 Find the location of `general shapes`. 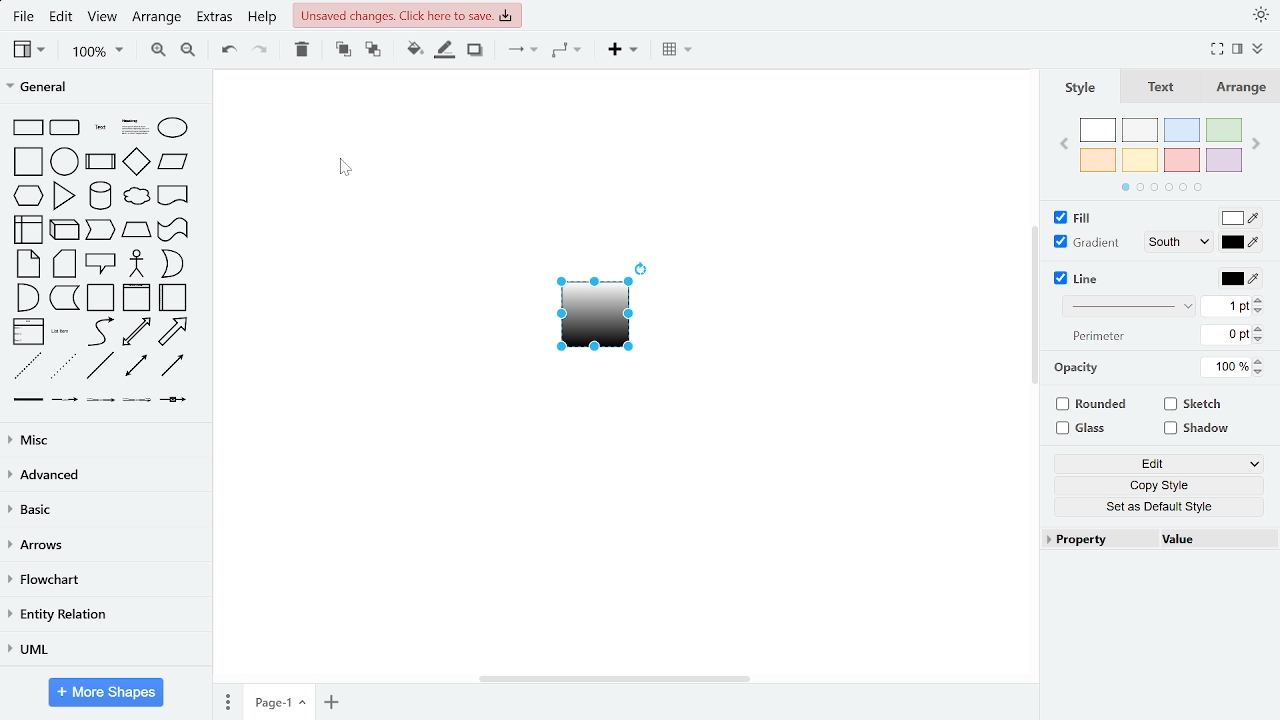

general shapes is located at coordinates (132, 125).